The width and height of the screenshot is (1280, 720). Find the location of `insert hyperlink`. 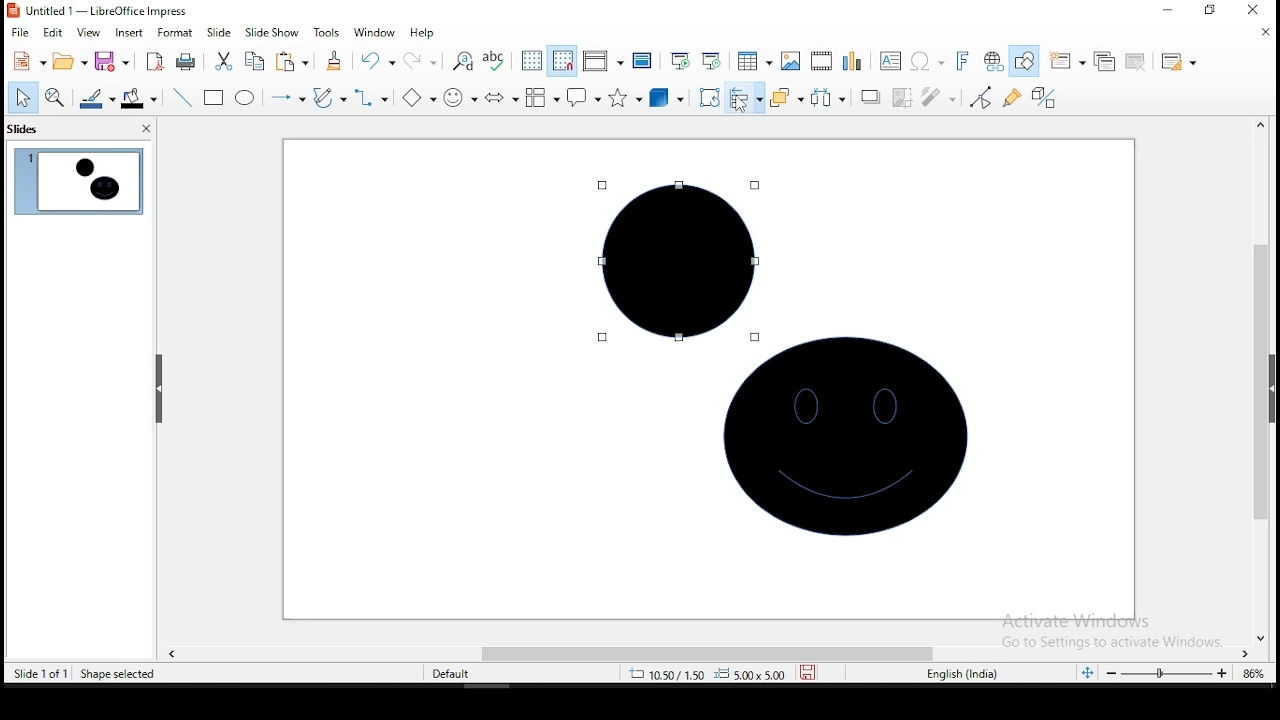

insert hyperlink is located at coordinates (992, 62).